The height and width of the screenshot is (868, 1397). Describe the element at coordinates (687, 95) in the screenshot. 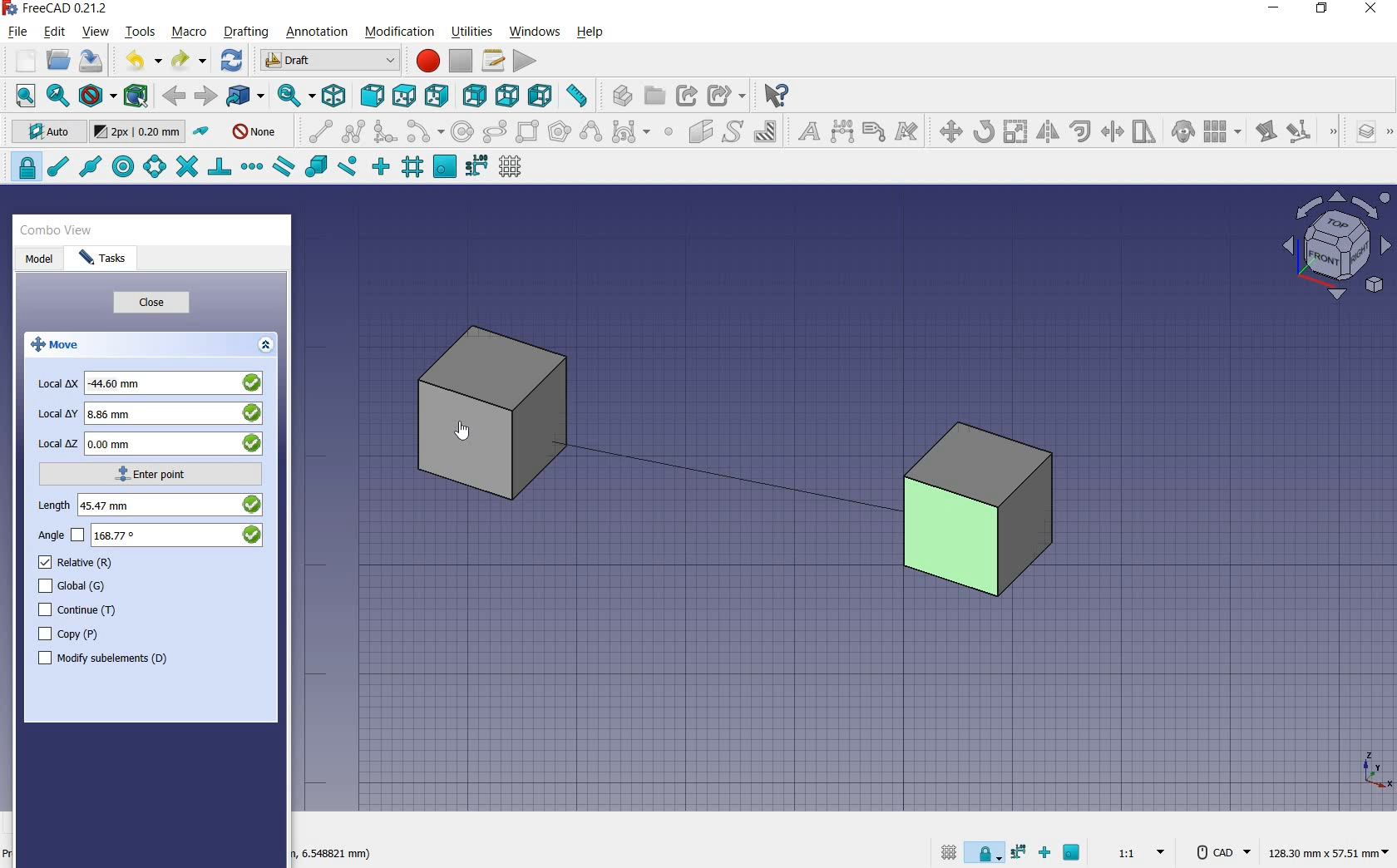

I see `make link` at that location.